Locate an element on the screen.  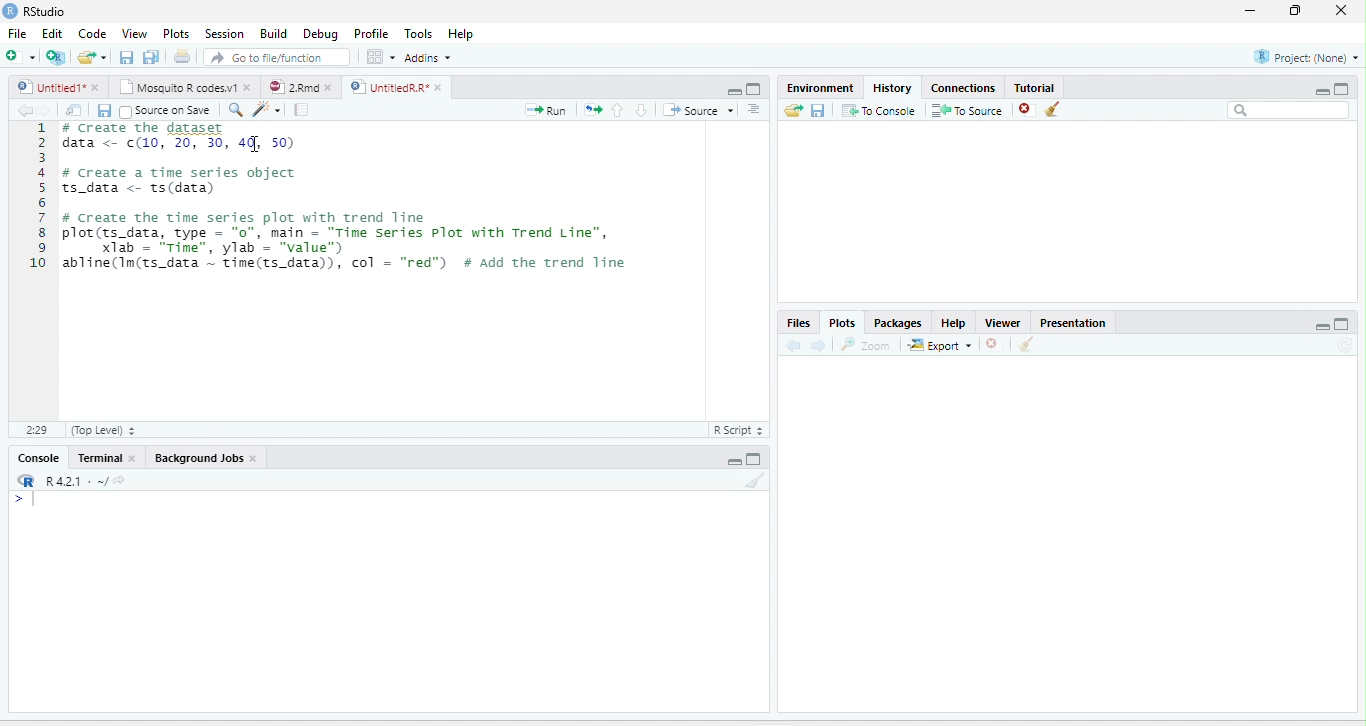
Profile is located at coordinates (369, 34).